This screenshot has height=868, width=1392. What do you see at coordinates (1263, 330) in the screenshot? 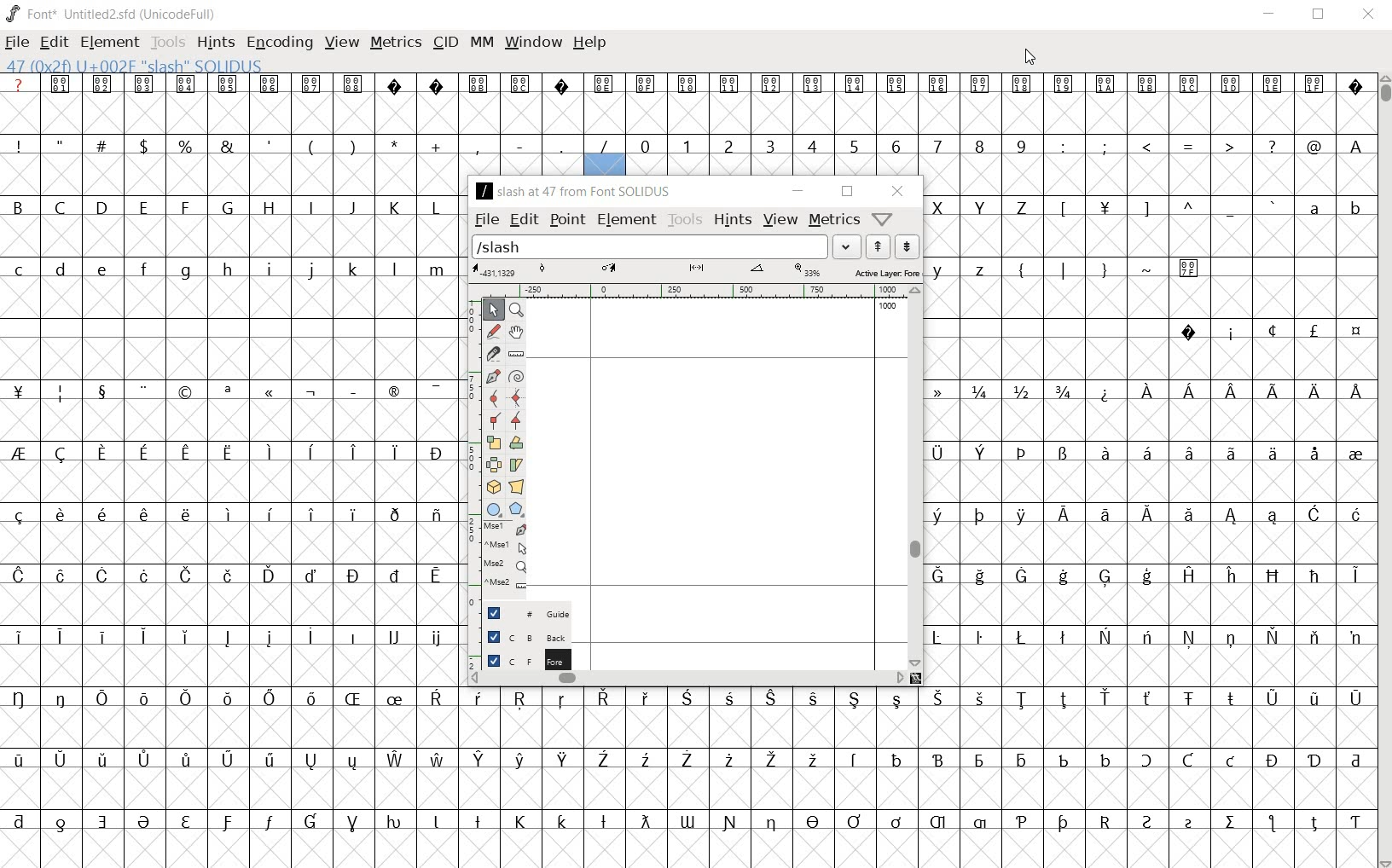
I see `special symbols` at bounding box center [1263, 330].